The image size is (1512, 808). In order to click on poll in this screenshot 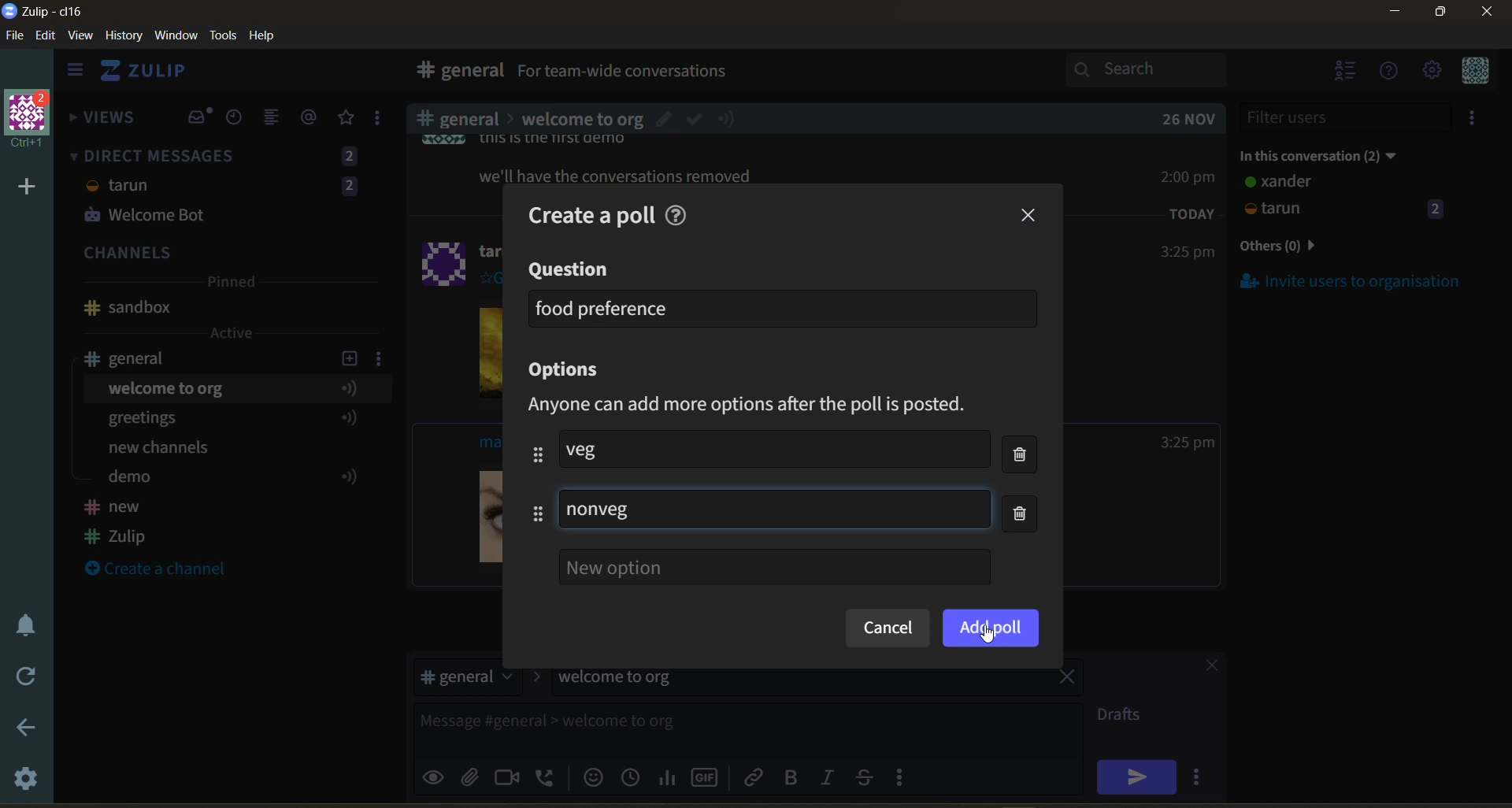, I will do `click(669, 776)`.